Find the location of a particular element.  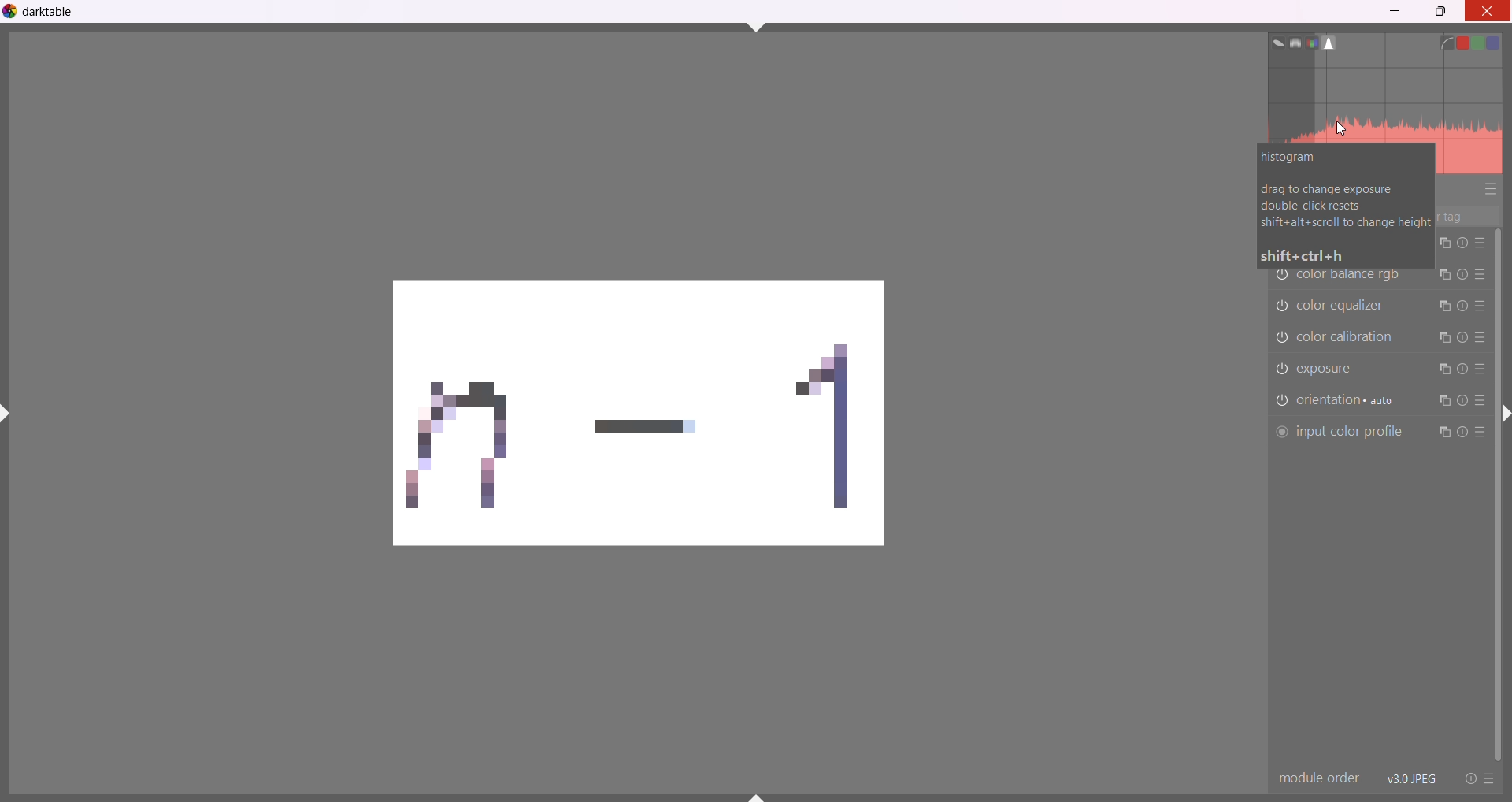

instance is located at coordinates (1443, 337).